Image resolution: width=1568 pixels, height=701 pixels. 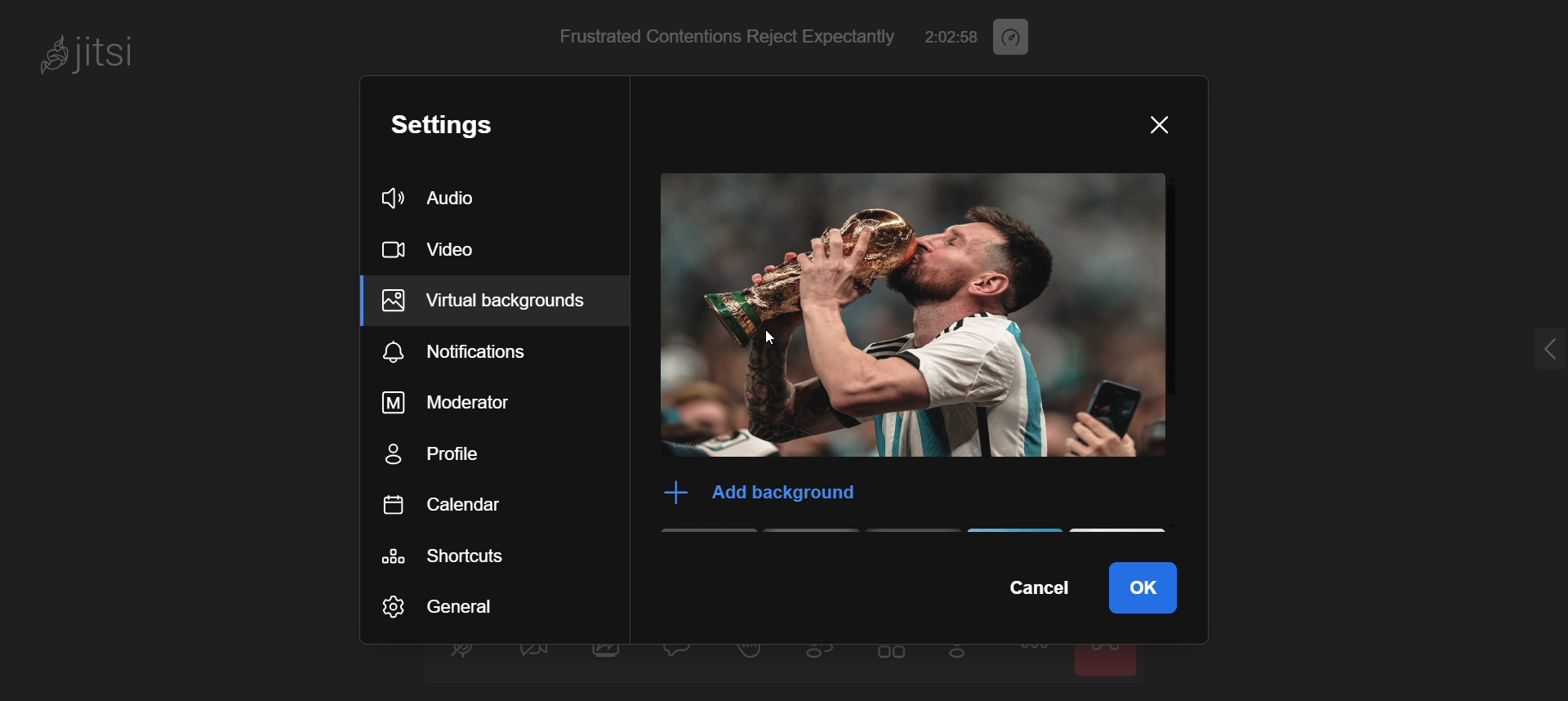 What do you see at coordinates (952, 34) in the screenshot?
I see `2:02:58` at bounding box center [952, 34].